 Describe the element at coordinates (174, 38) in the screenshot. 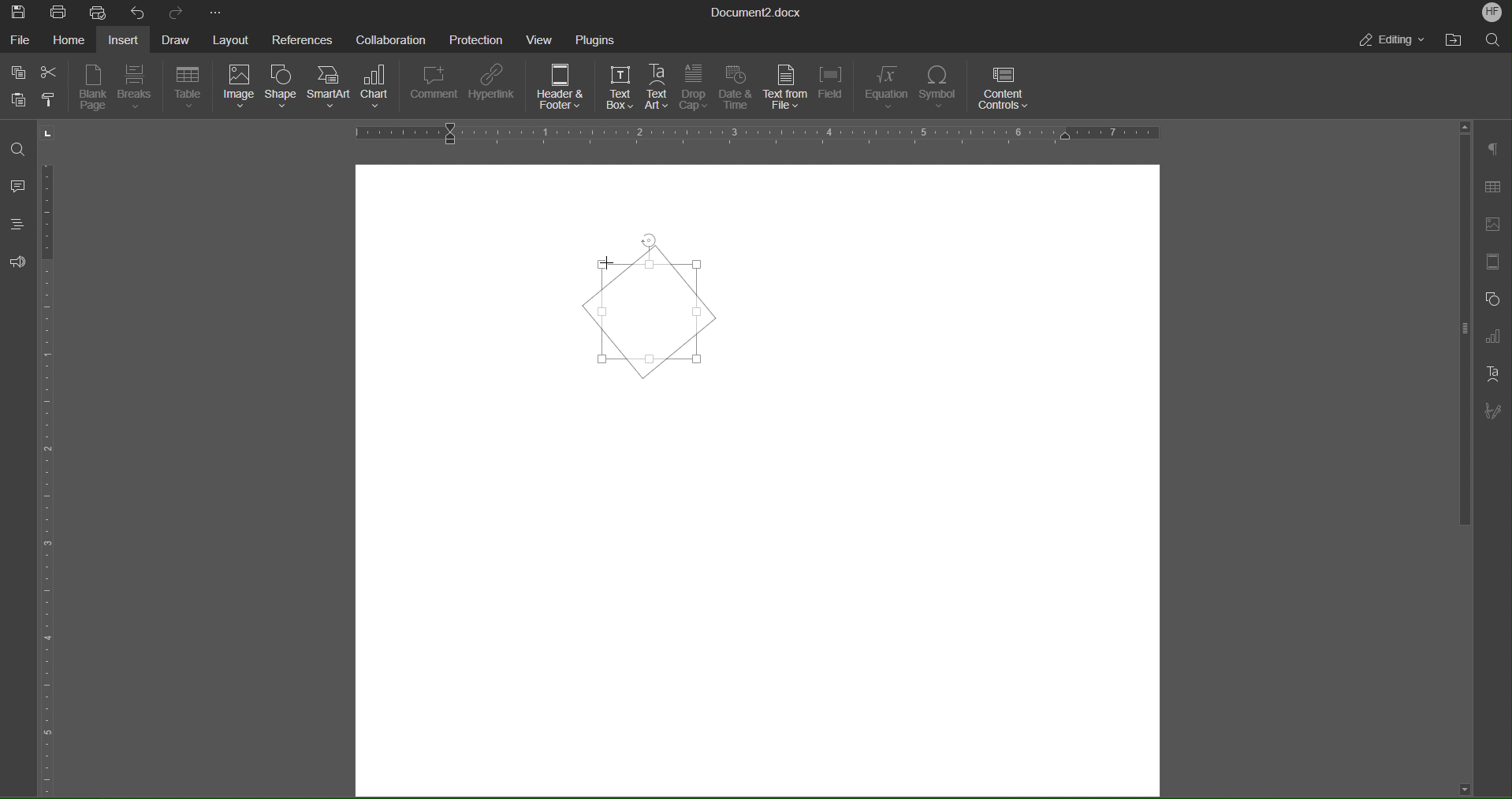

I see `Draw` at that location.